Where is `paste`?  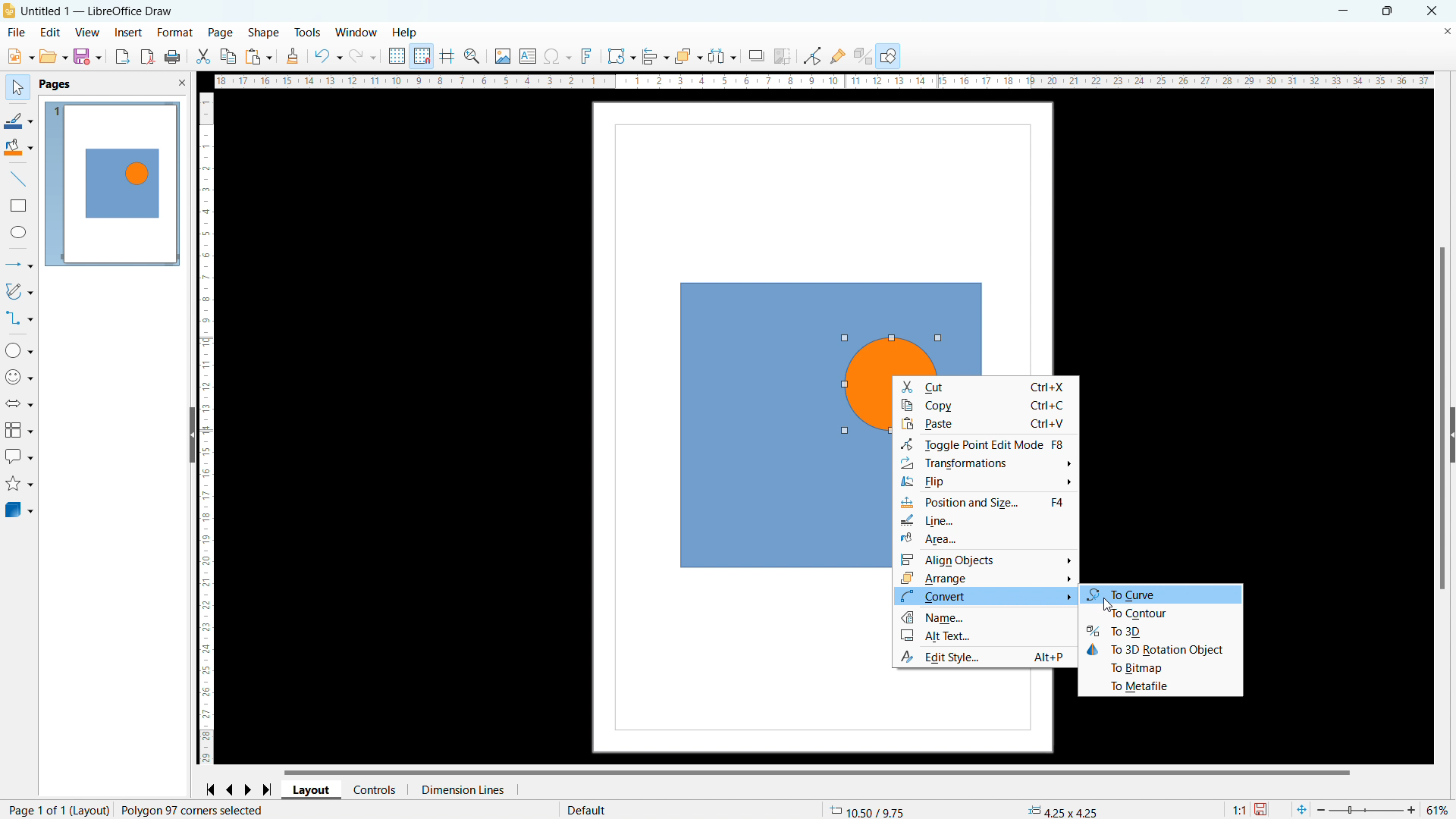
paste is located at coordinates (259, 56).